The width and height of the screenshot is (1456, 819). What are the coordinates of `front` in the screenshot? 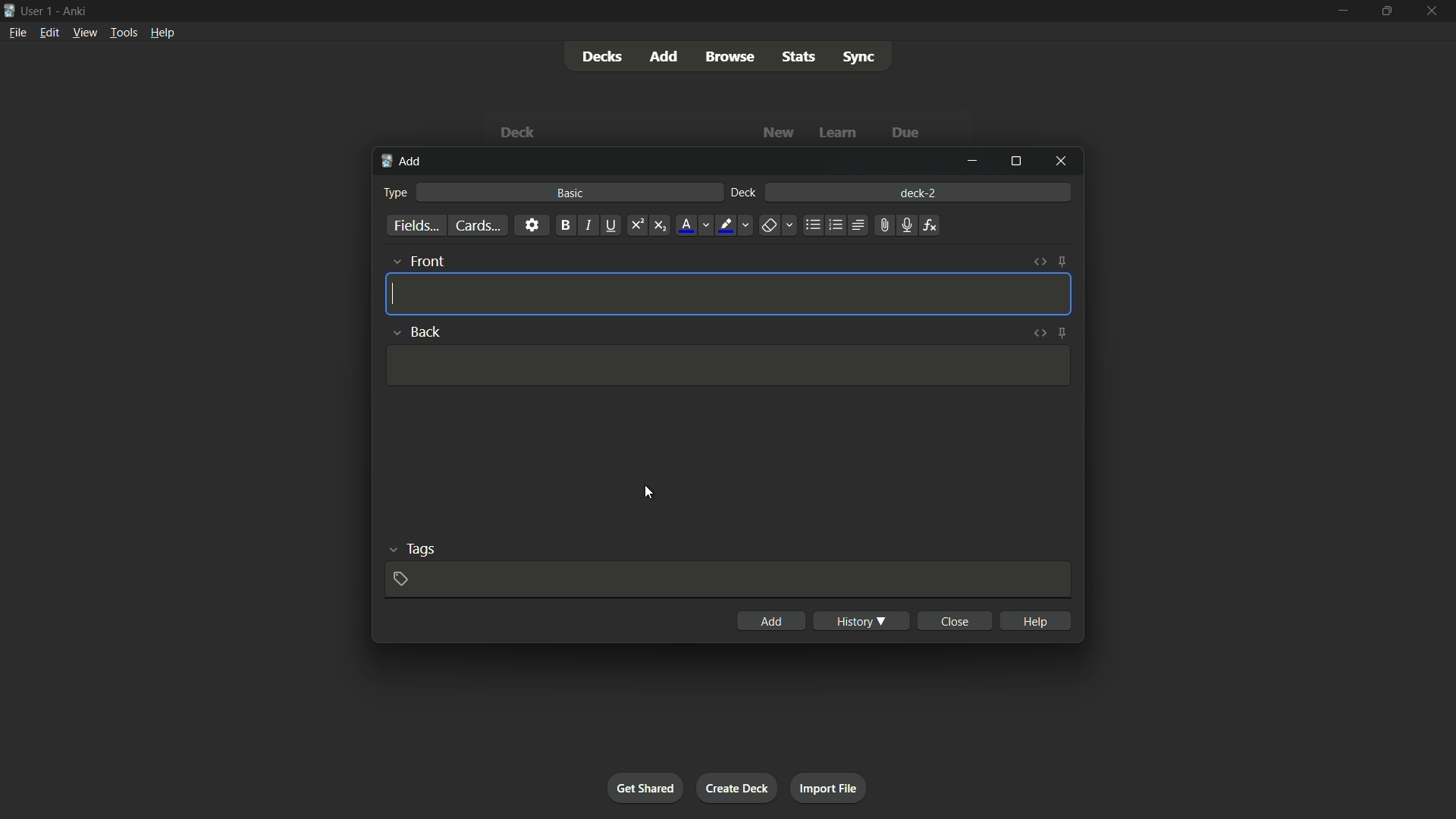 It's located at (417, 261).